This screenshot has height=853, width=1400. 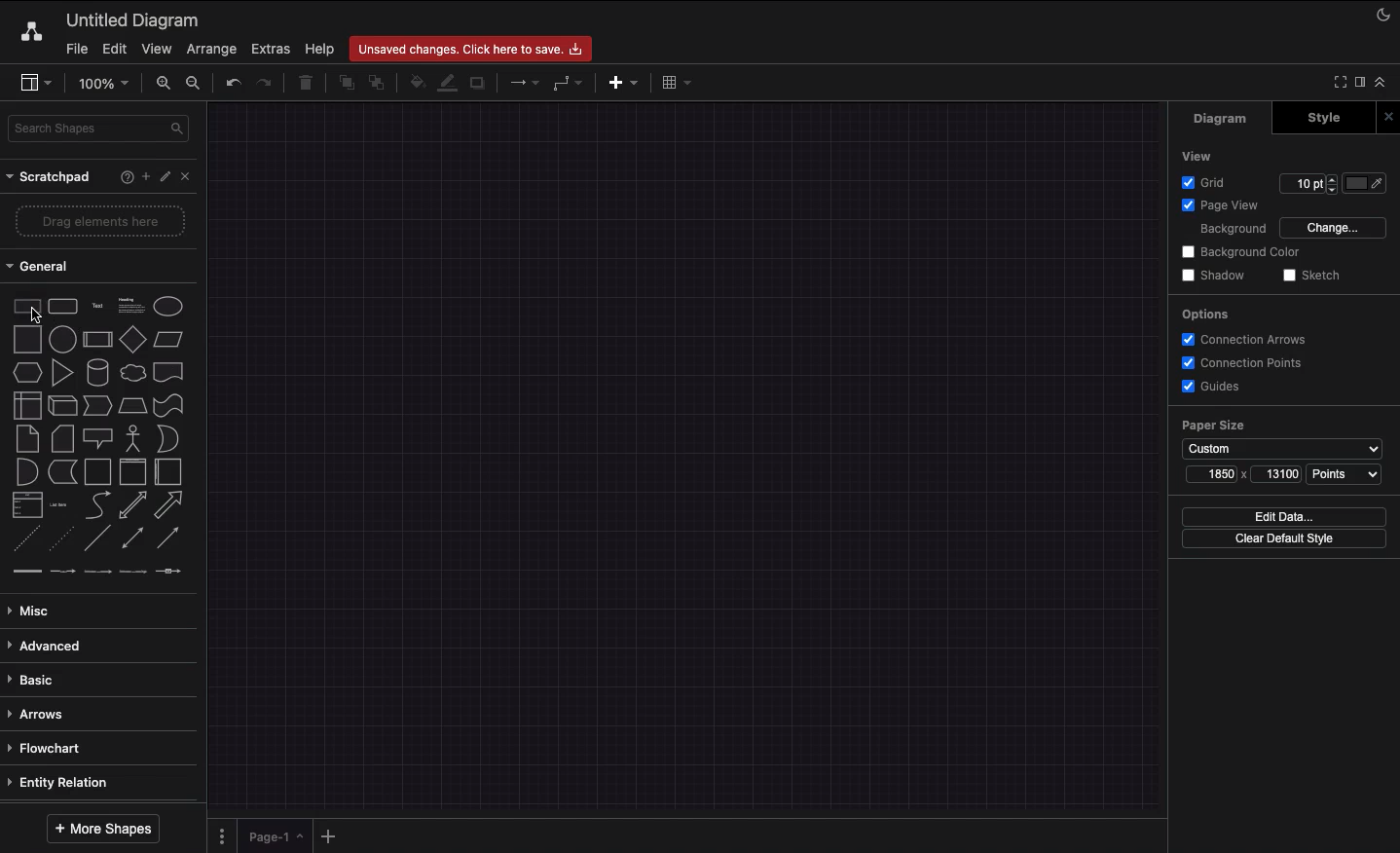 I want to click on Background, so click(x=1234, y=231).